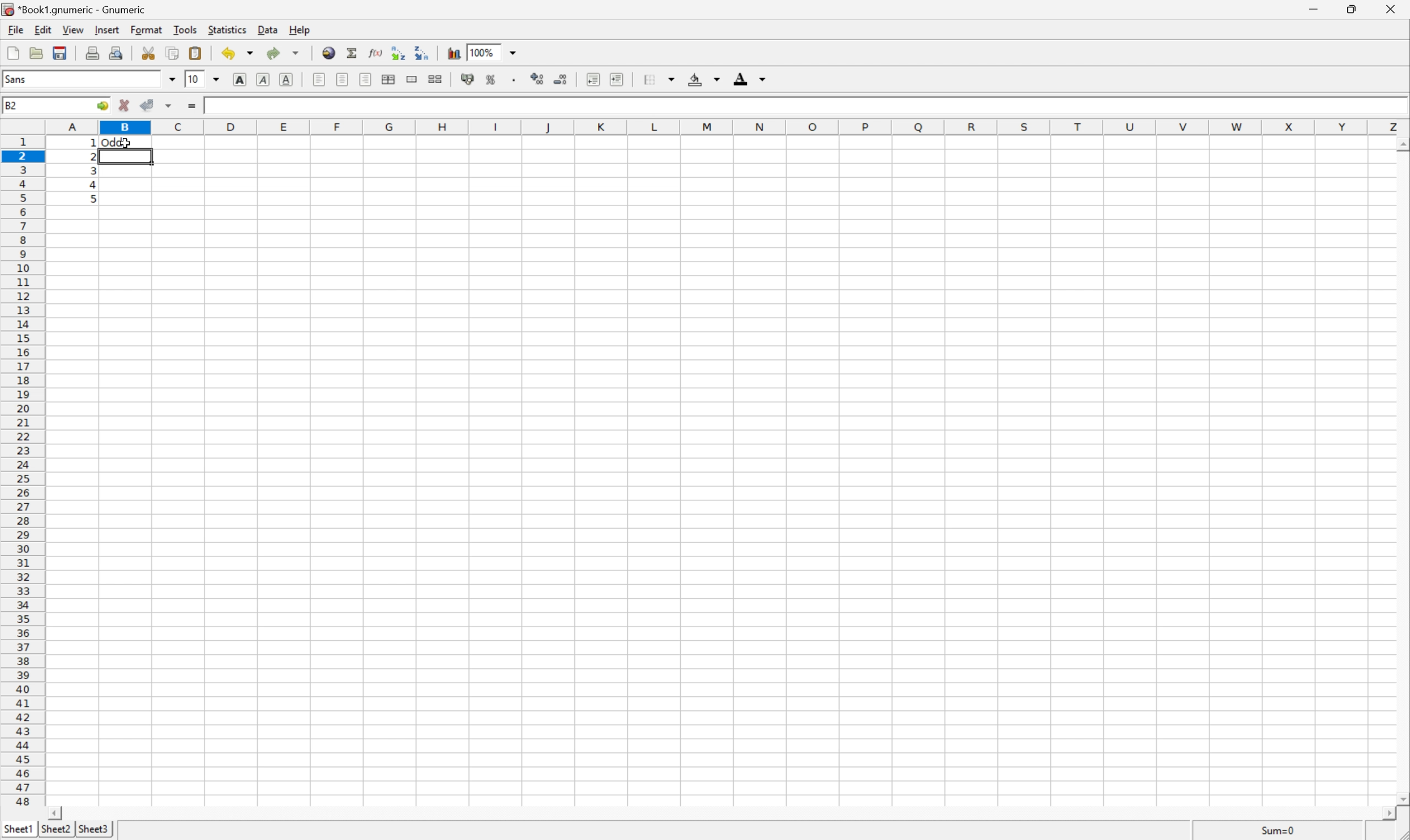 The height and width of the screenshot is (840, 1410). I want to click on Sheet1, so click(18, 829).